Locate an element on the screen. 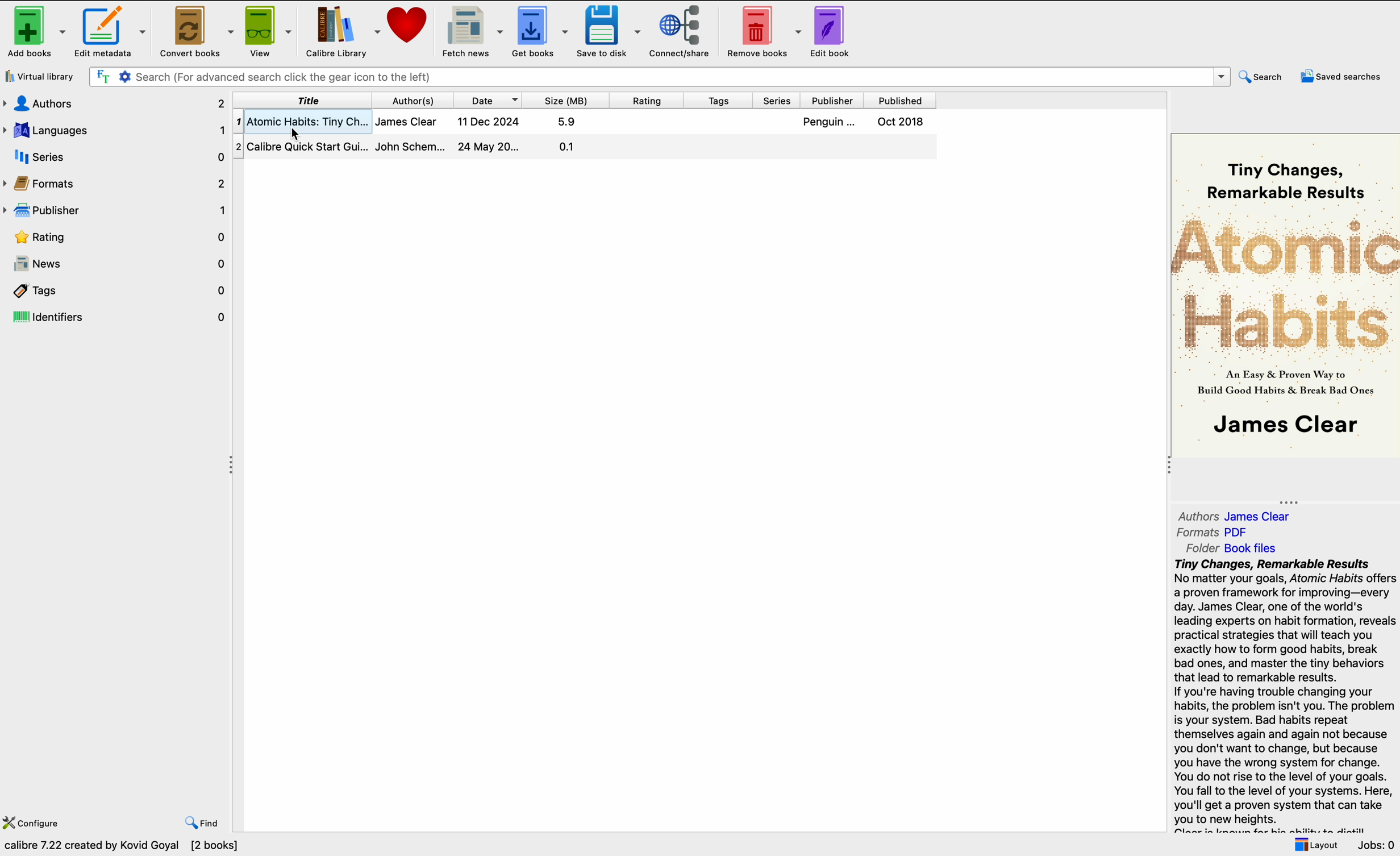  formats is located at coordinates (115, 184).